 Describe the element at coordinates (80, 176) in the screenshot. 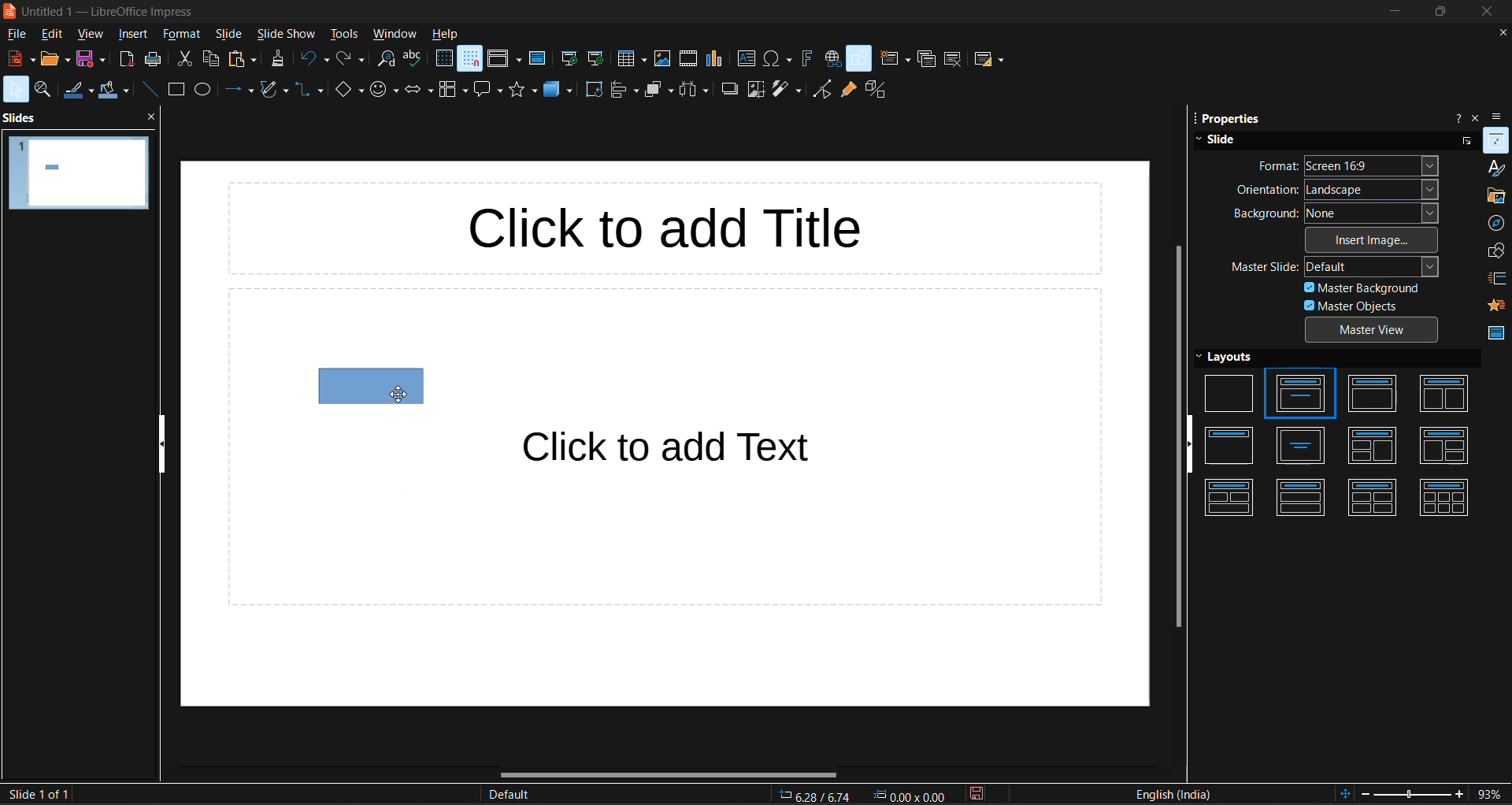

I see `slide preview` at that location.